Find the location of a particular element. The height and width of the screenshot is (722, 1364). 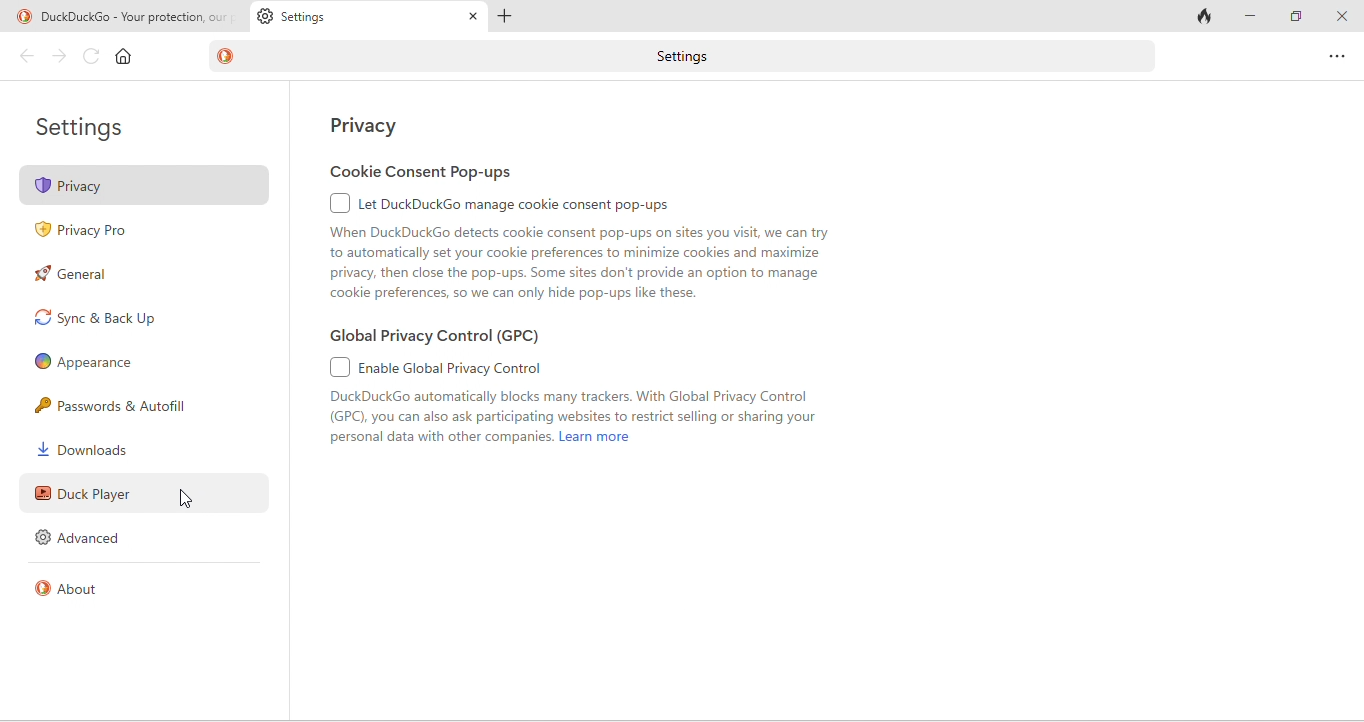

home is located at coordinates (124, 56).